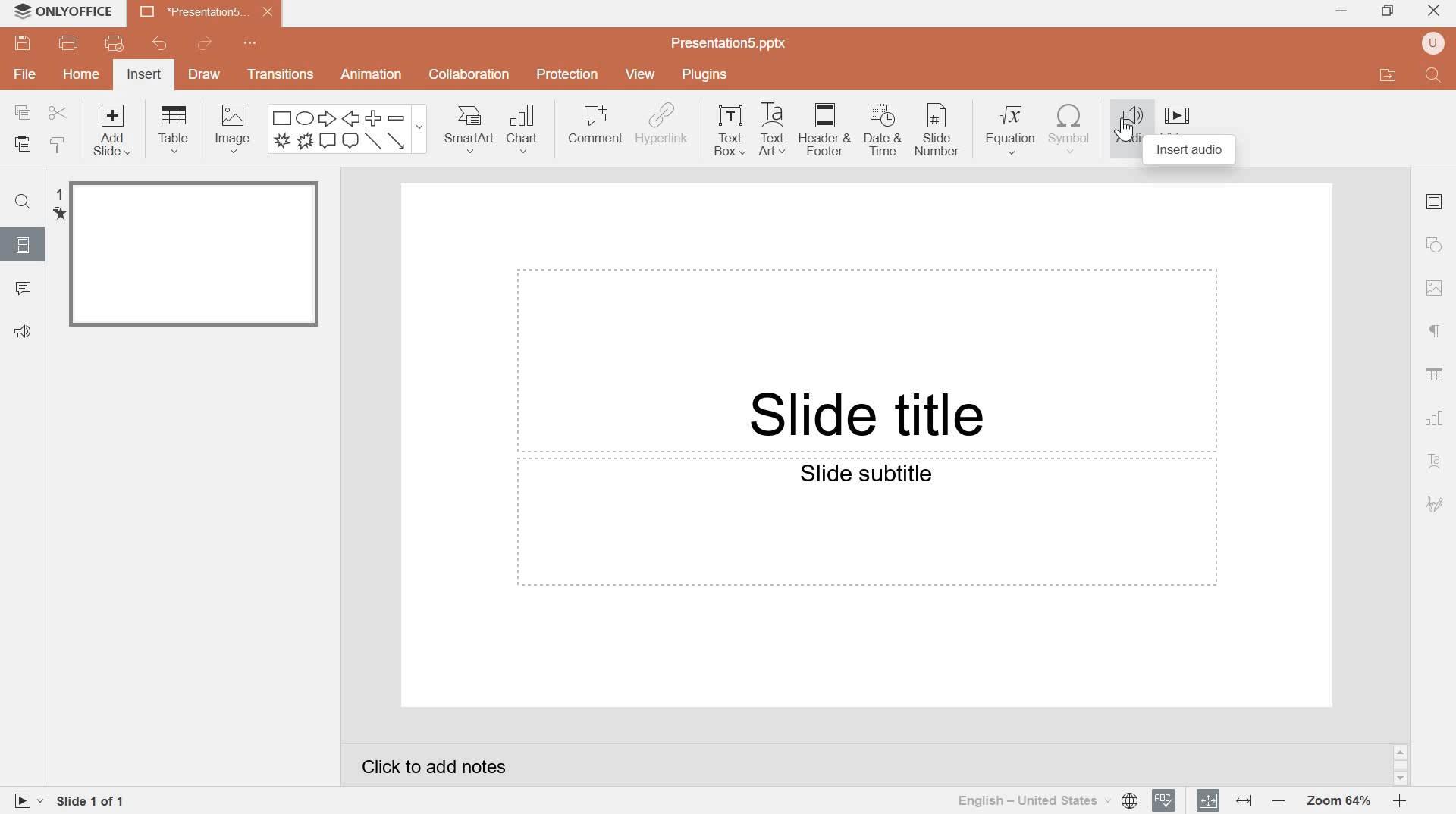 This screenshot has height=814, width=1456. I want to click on Chart, so click(526, 130).